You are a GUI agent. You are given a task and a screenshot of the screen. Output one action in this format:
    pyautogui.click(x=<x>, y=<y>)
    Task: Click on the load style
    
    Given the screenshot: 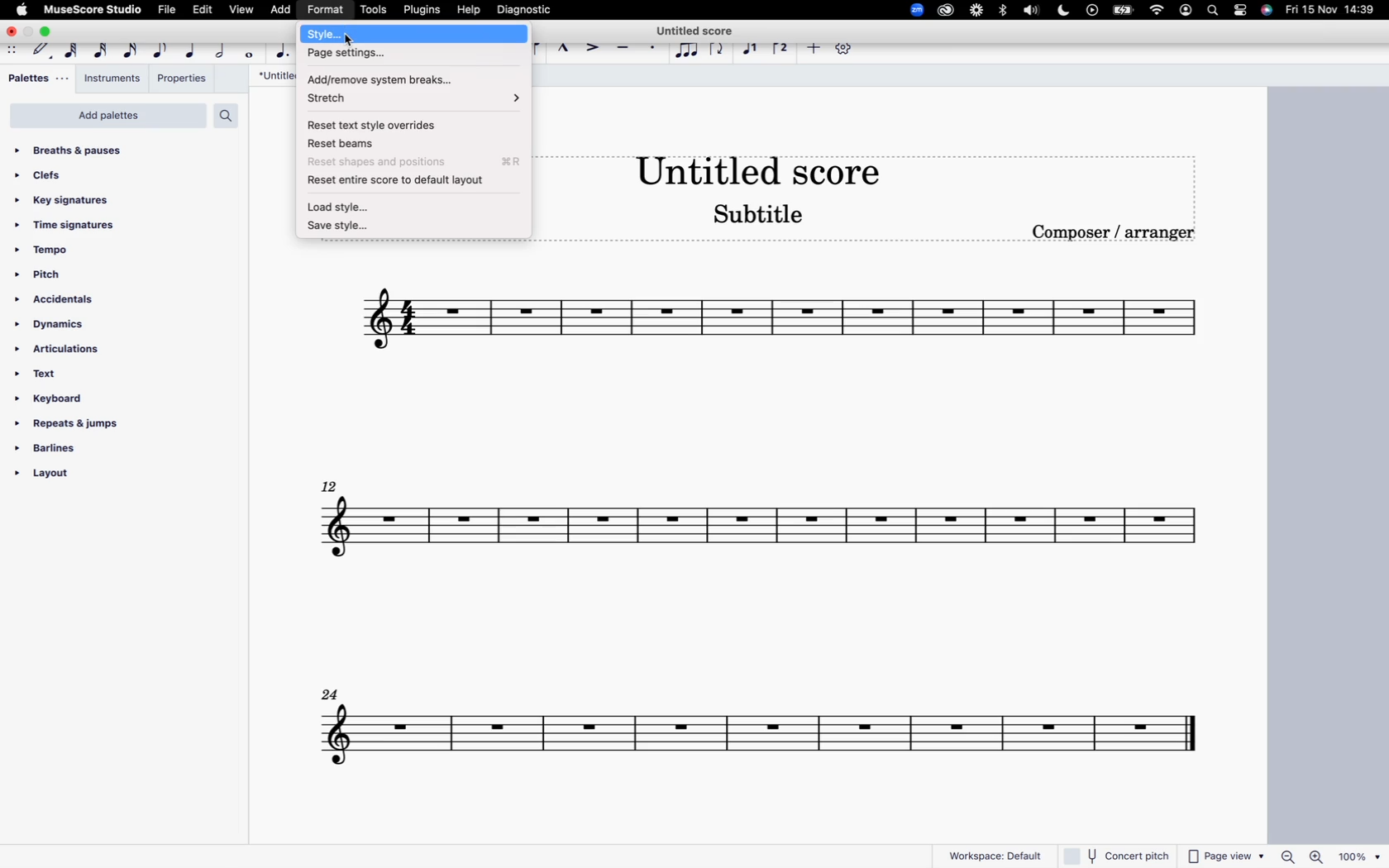 What is the action you would take?
    pyautogui.click(x=413, y=205)
    